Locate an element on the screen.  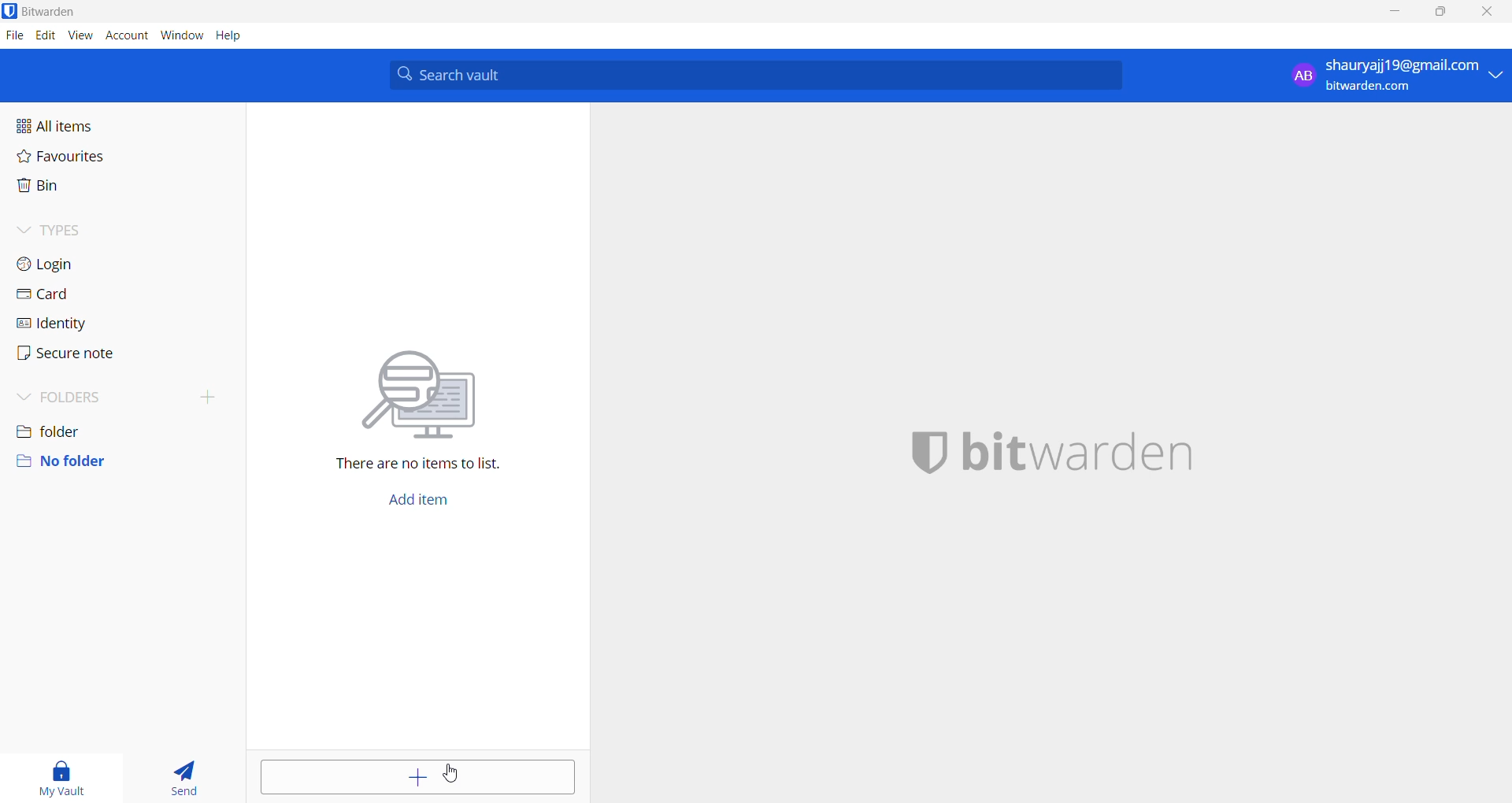
bin is located at coordinates (82, 191).